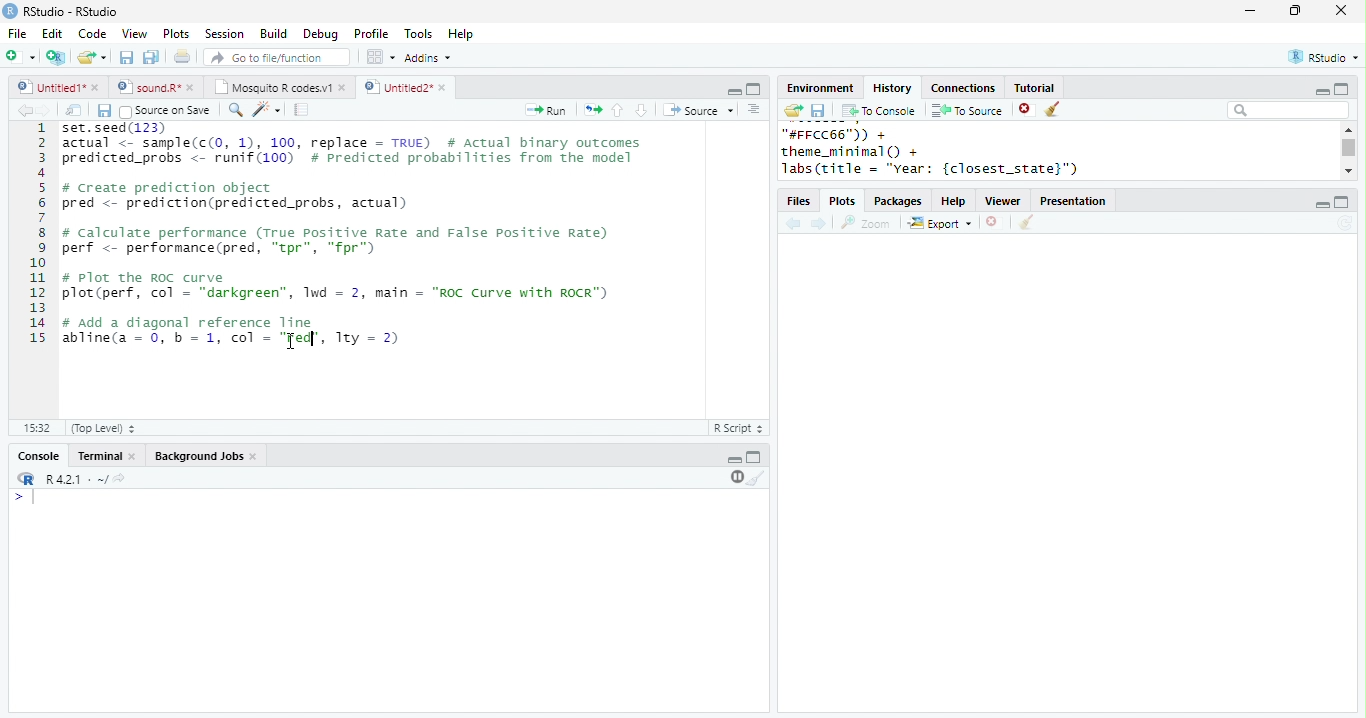  Describe the element at coordinates (461, 35) in the screenshot. I see `Help` at that location.